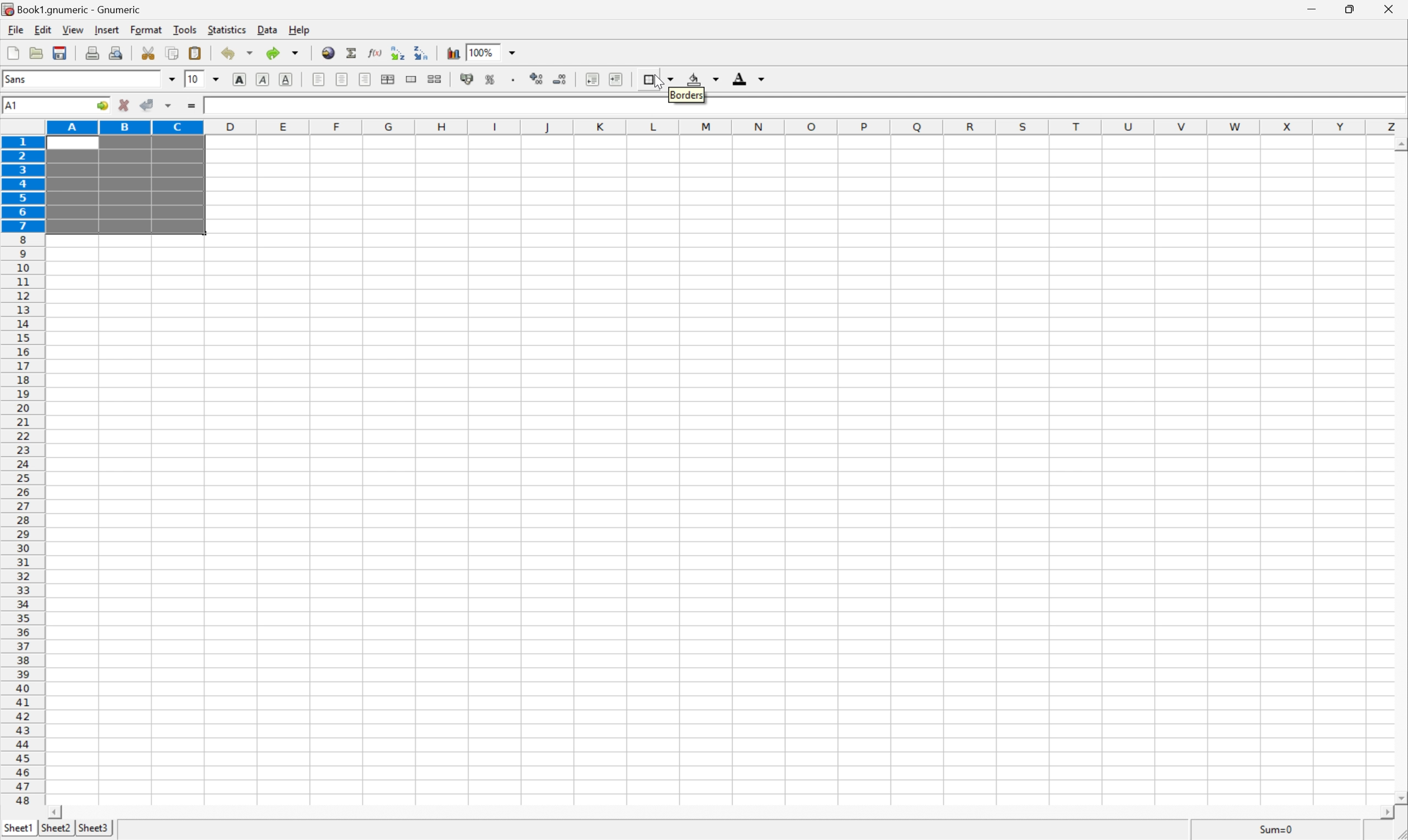 This screenshot has height=840, width=1408. What do you see at coordinates (1281, 830) in the screenshot?
I see `sum=0` at bounding box center [1281, 830].